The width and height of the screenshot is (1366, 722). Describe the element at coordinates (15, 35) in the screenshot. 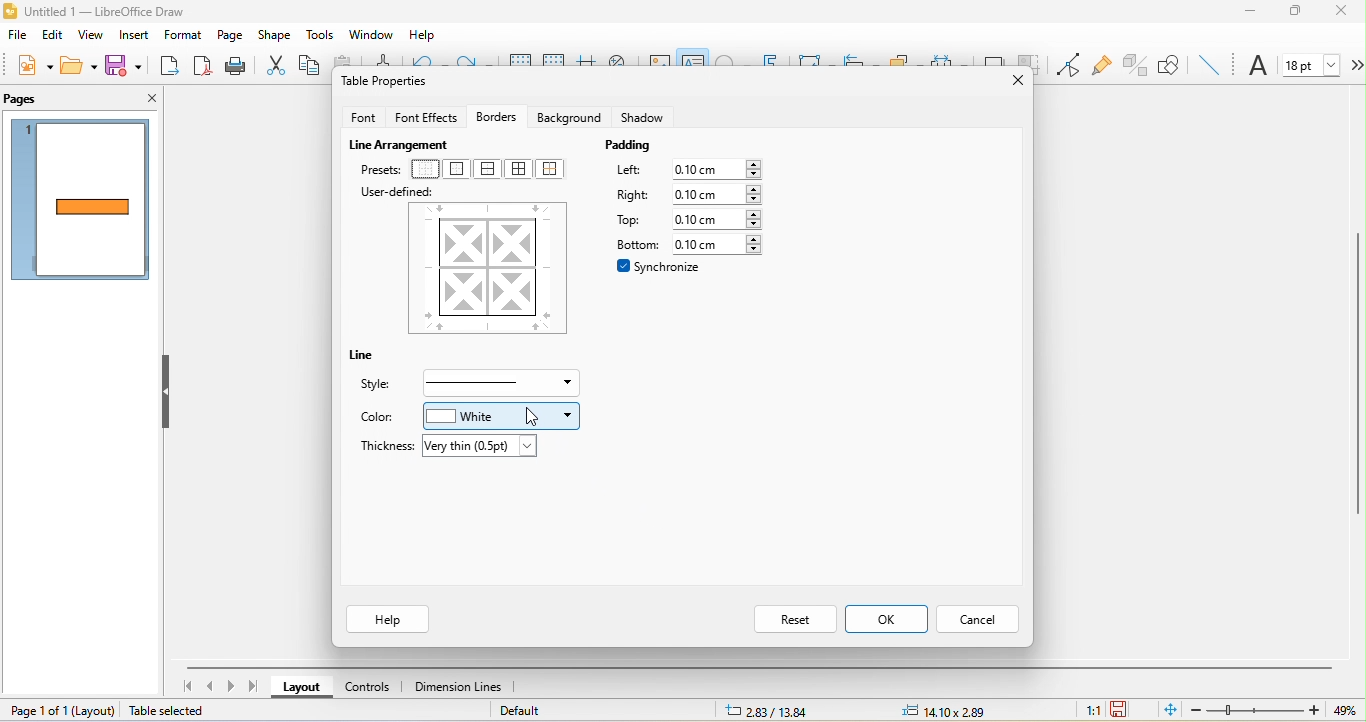

I see `file` at that location.